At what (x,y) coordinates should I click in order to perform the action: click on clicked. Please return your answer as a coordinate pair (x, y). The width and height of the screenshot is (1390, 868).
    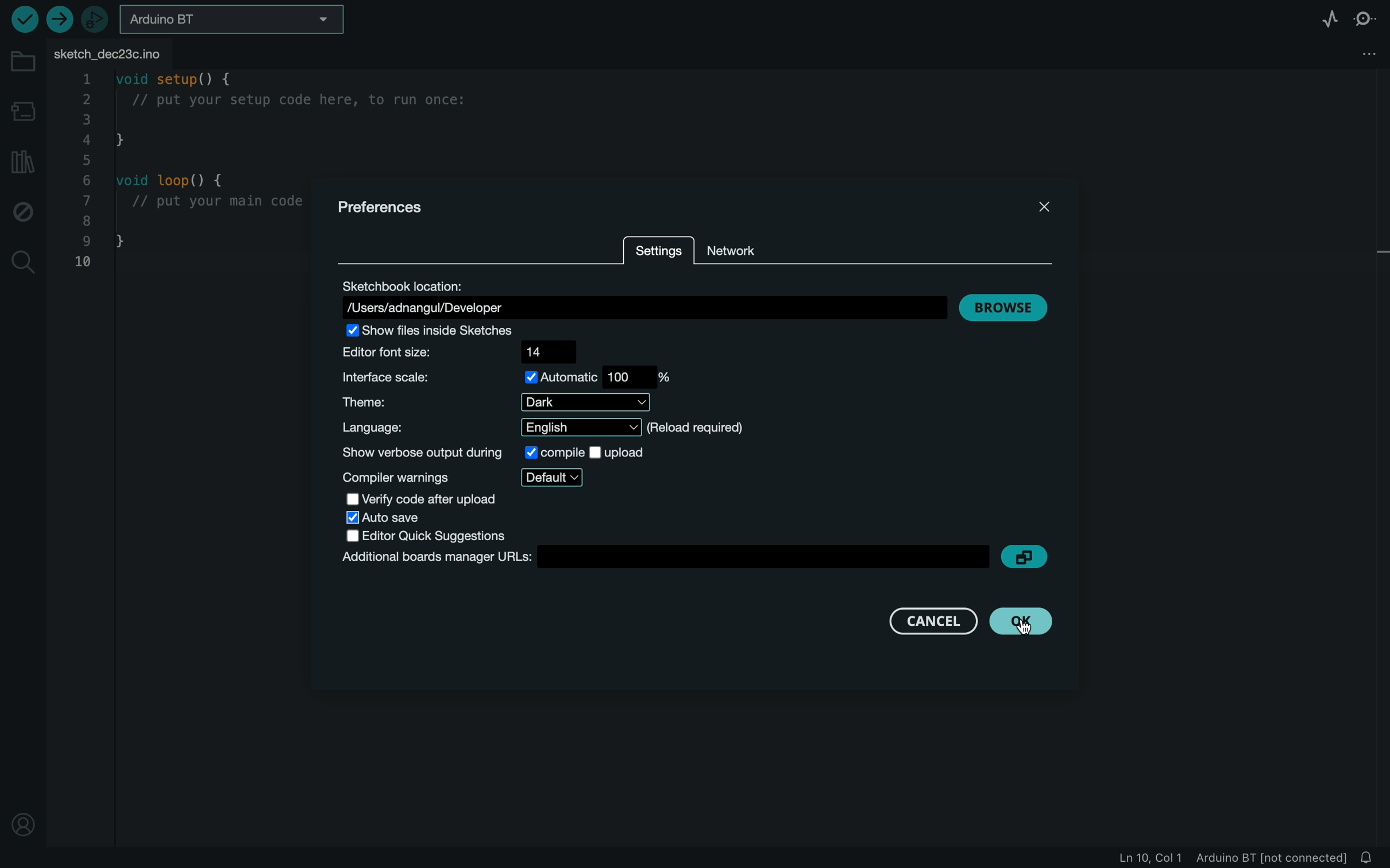
    Looking at the image, I should click on (1025, 622).